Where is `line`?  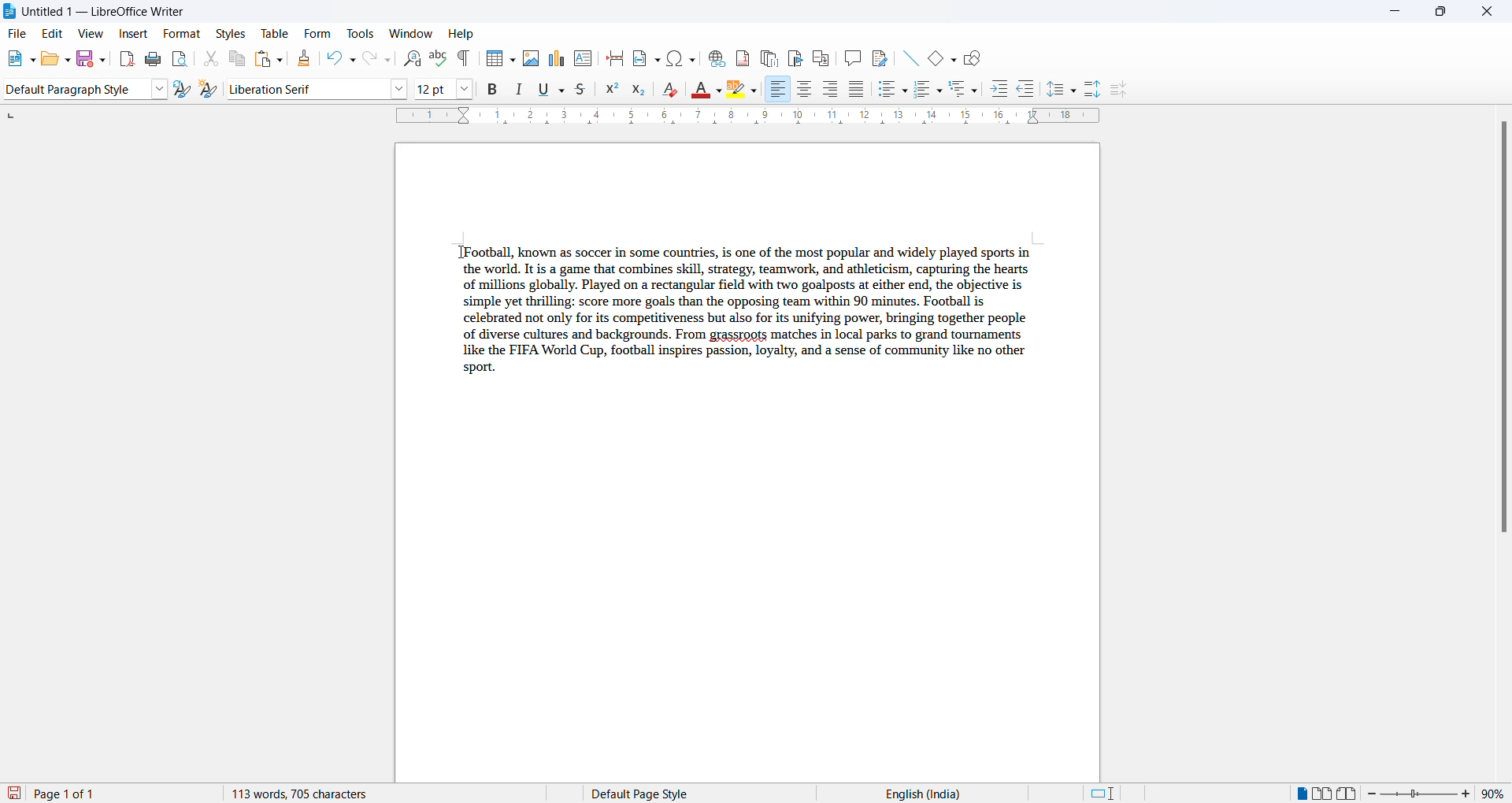
line is located at coordinates (908, 60).